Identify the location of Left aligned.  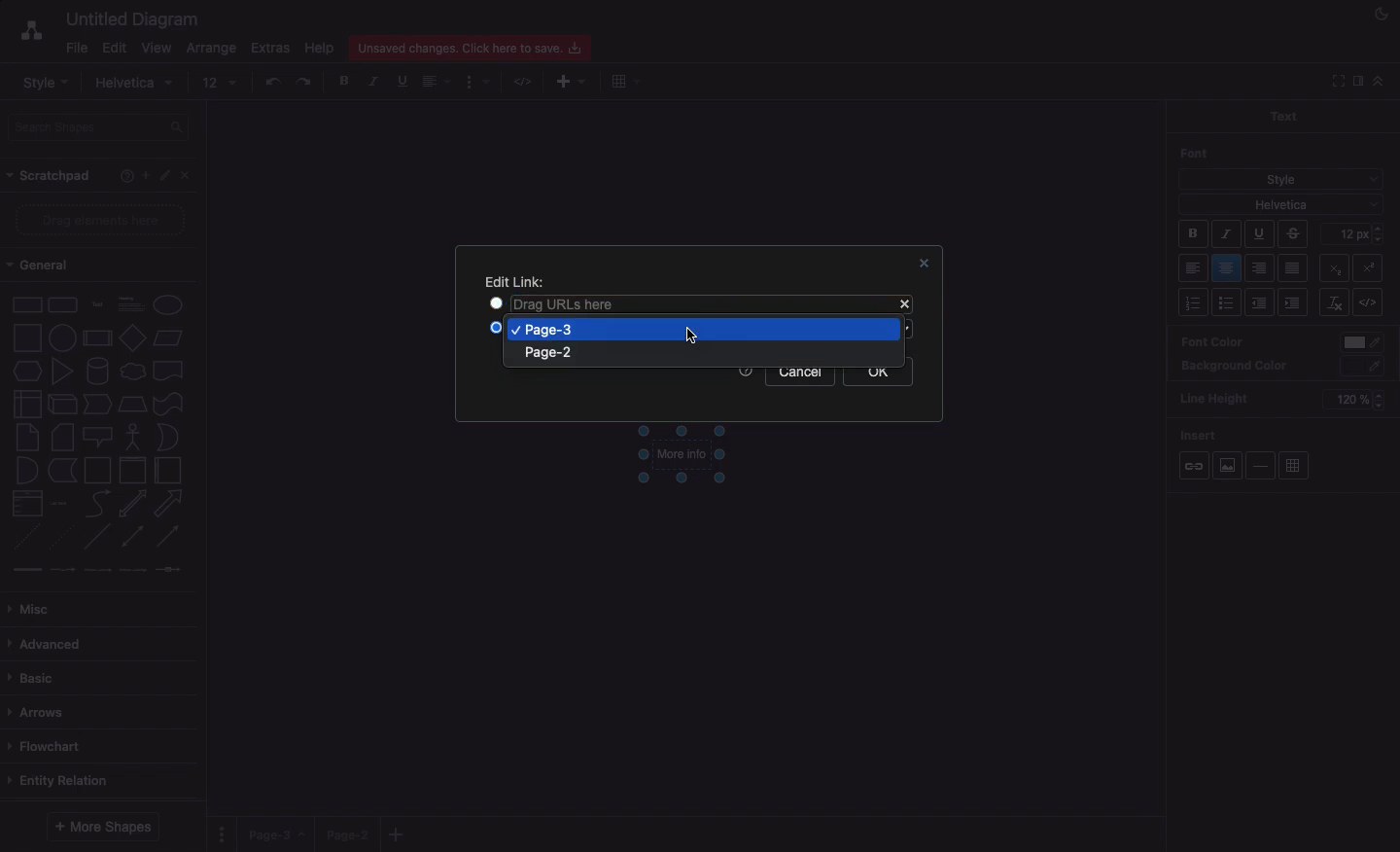
(1194, 269).